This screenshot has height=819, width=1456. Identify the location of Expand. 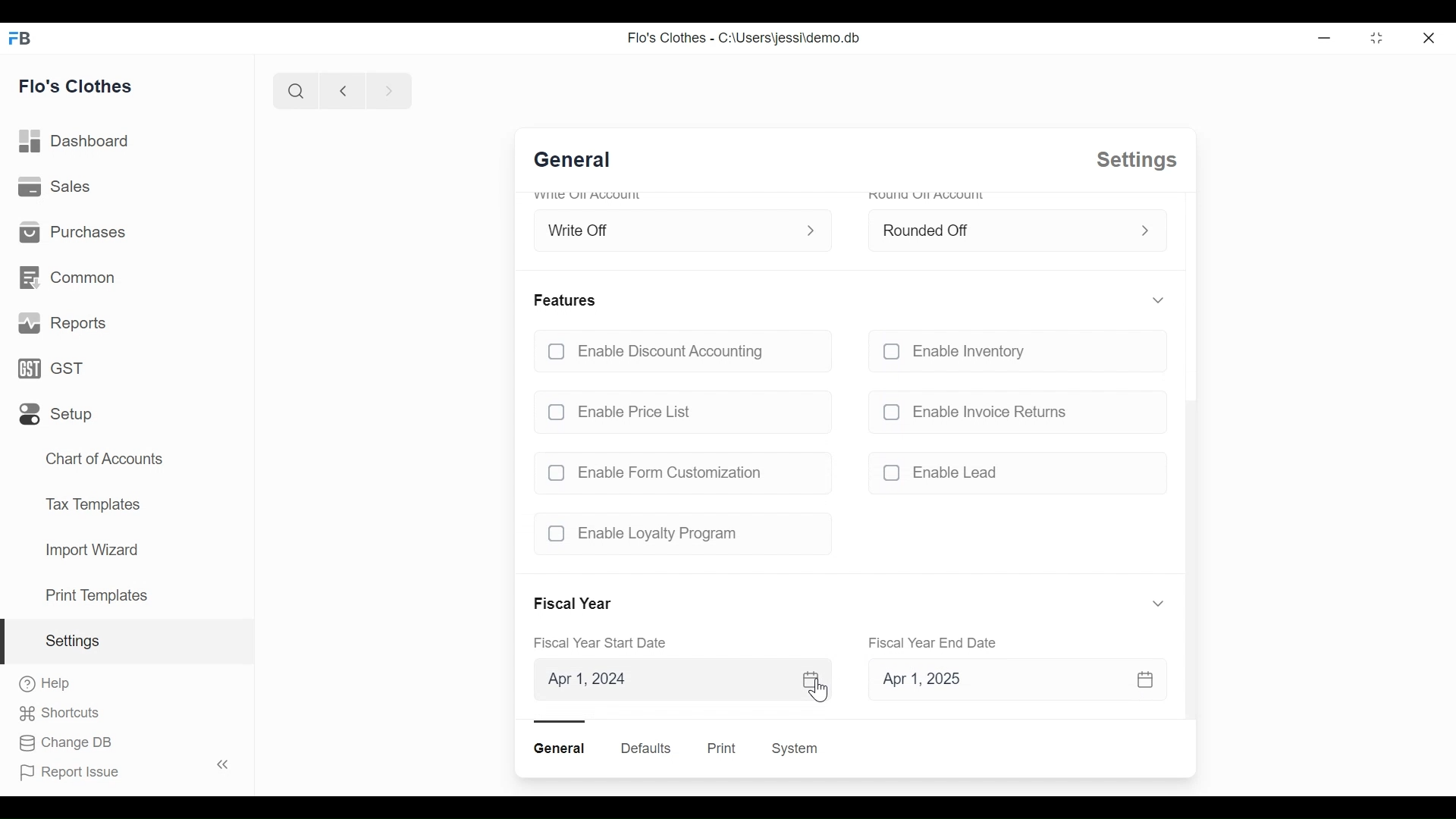
(1145, 231).